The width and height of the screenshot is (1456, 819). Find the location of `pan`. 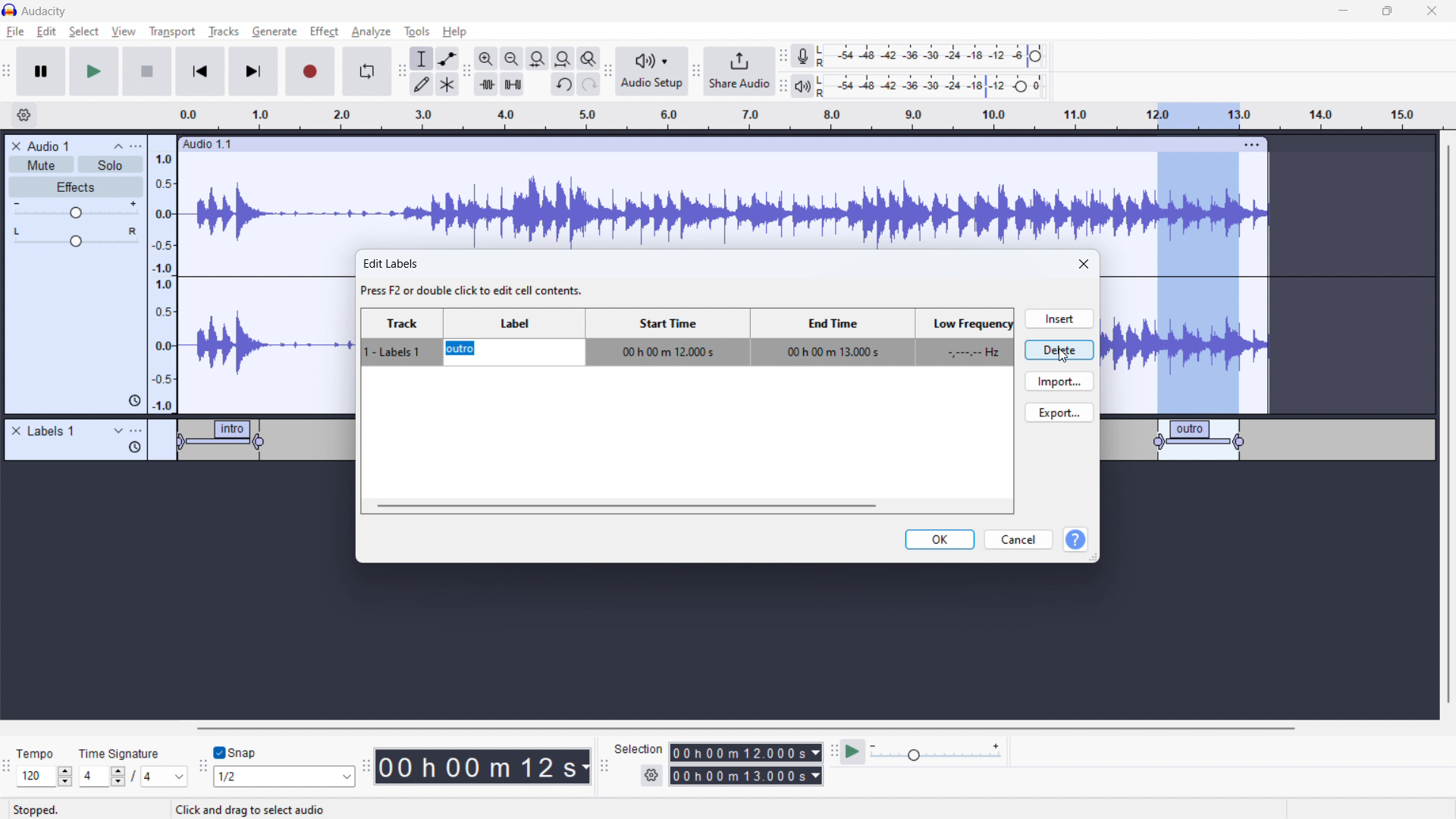

pan is located at coordinates (76, 237).